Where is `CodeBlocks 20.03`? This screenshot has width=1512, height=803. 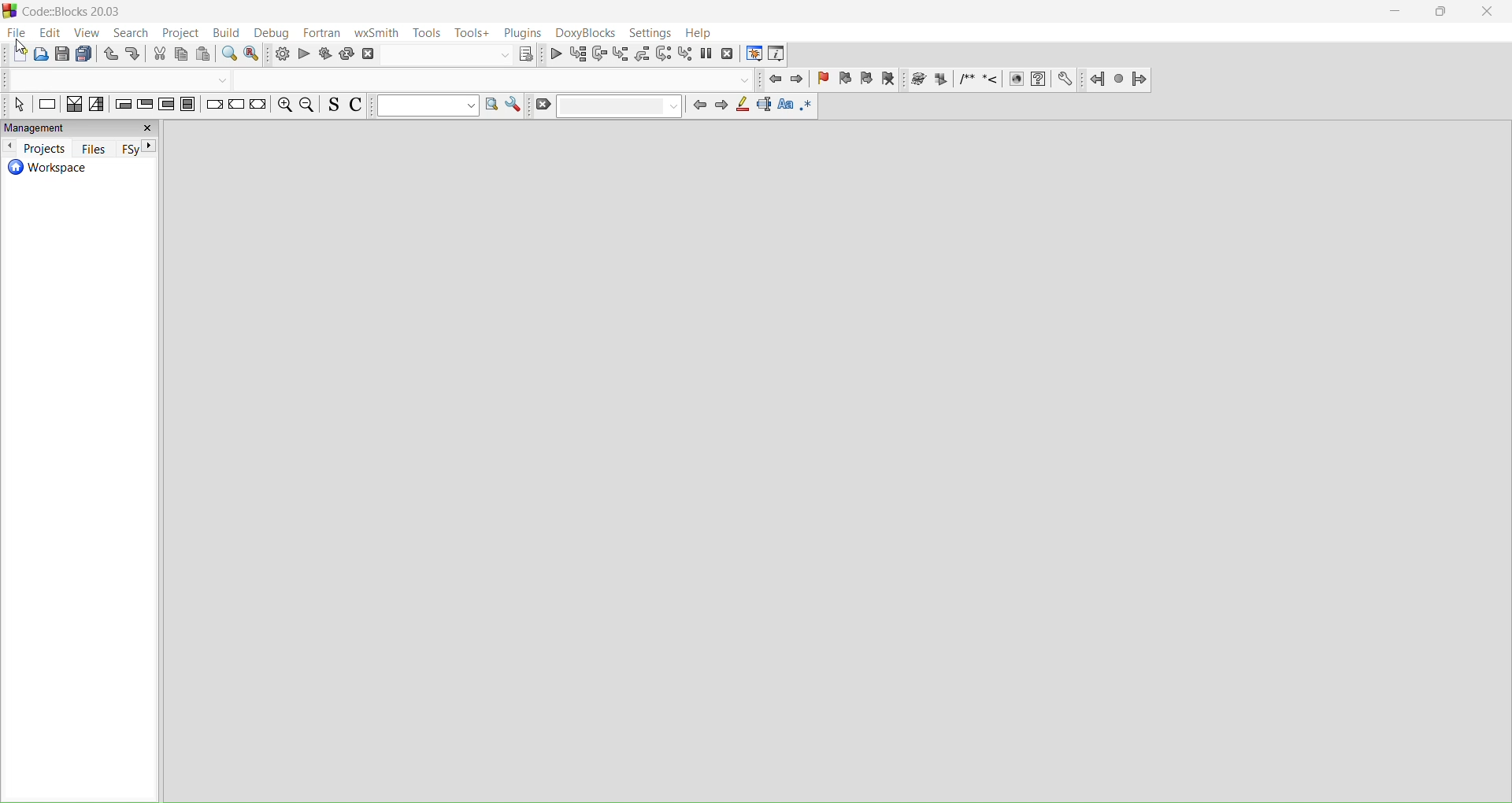 CodeBlocks 20.03 is located at coordinates (66, 12).